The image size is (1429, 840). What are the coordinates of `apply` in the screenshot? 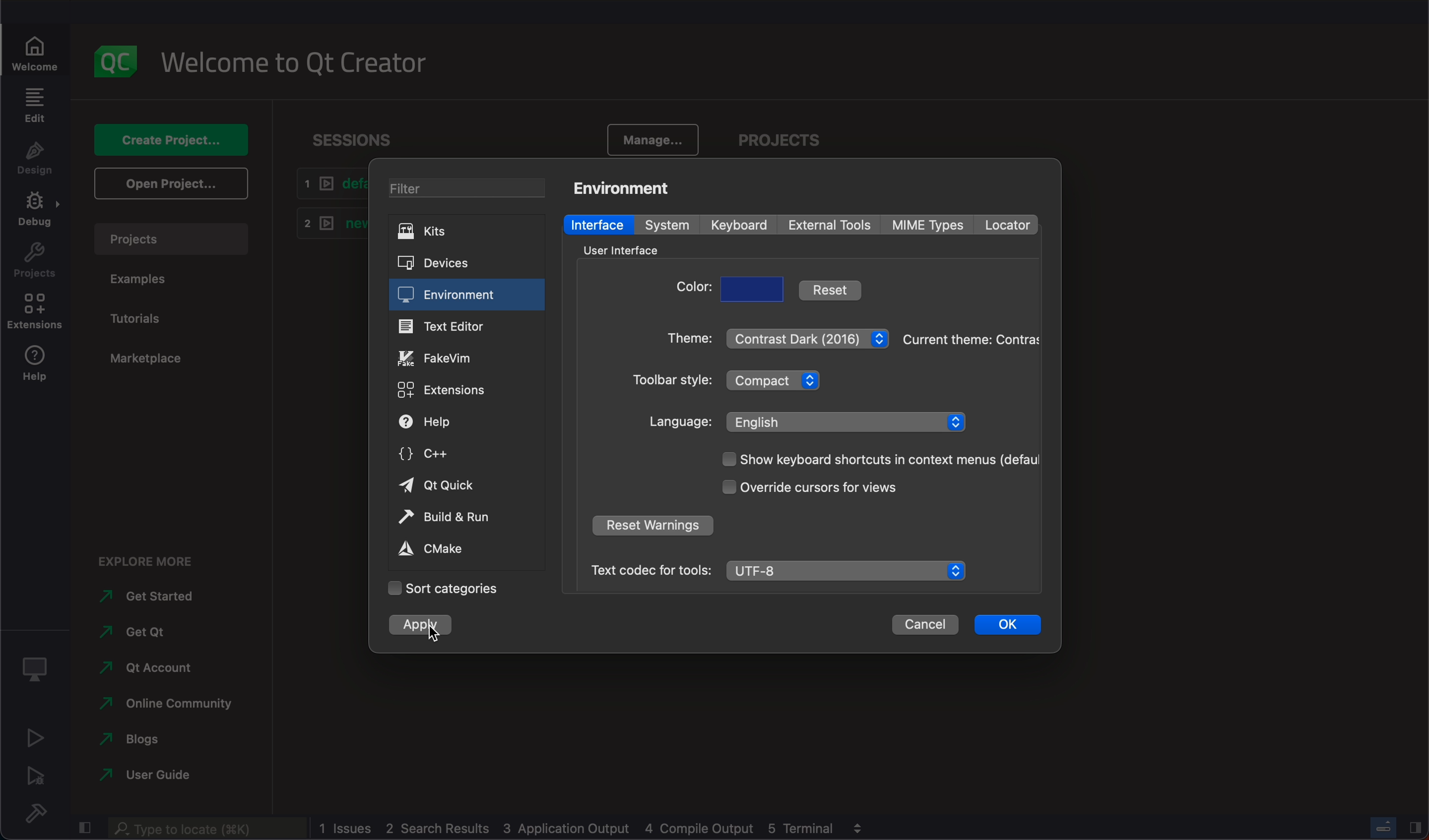 It's located at (422, 623).